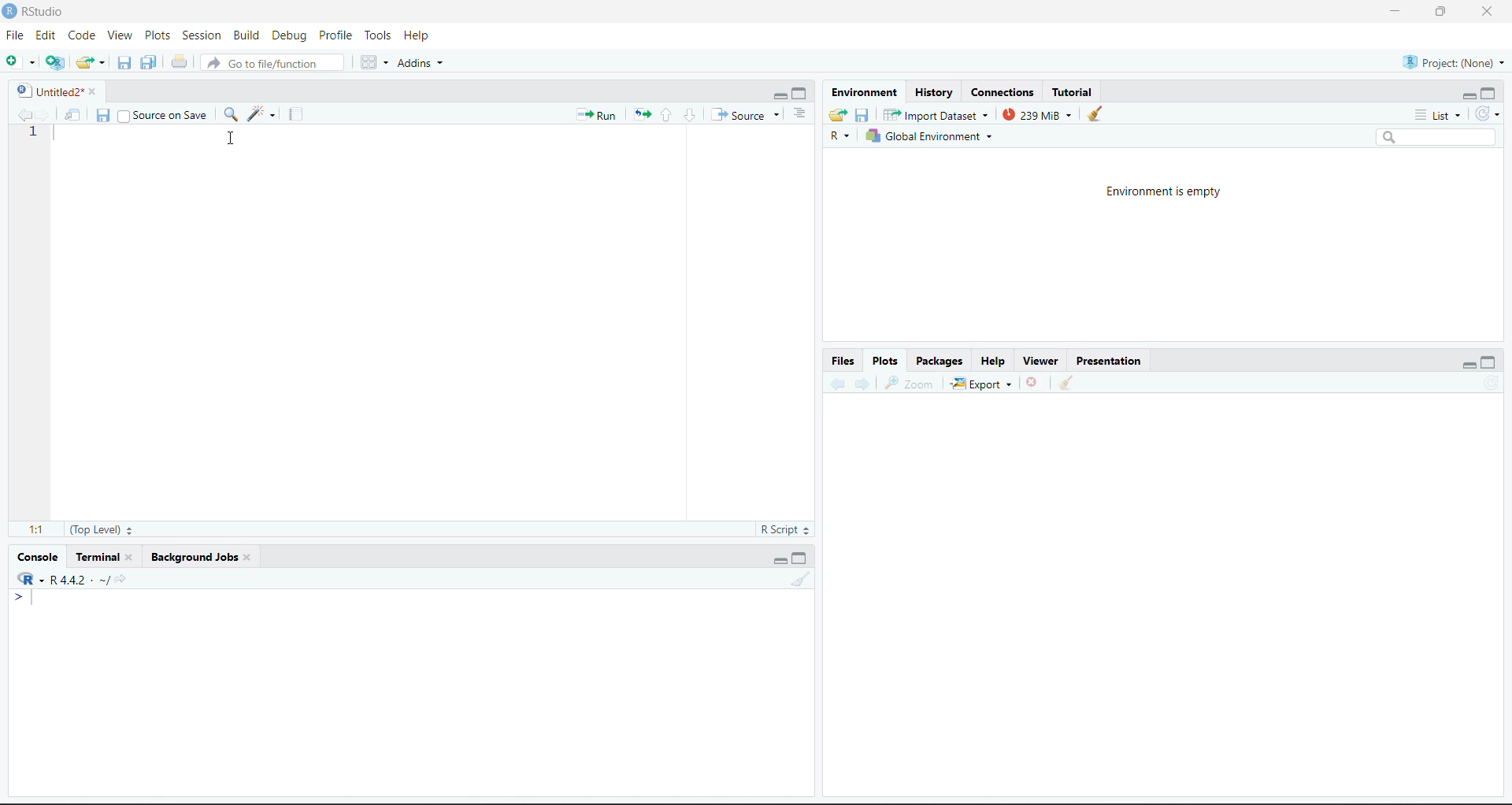  I want to click on Project (Note), so click(1452, 61).